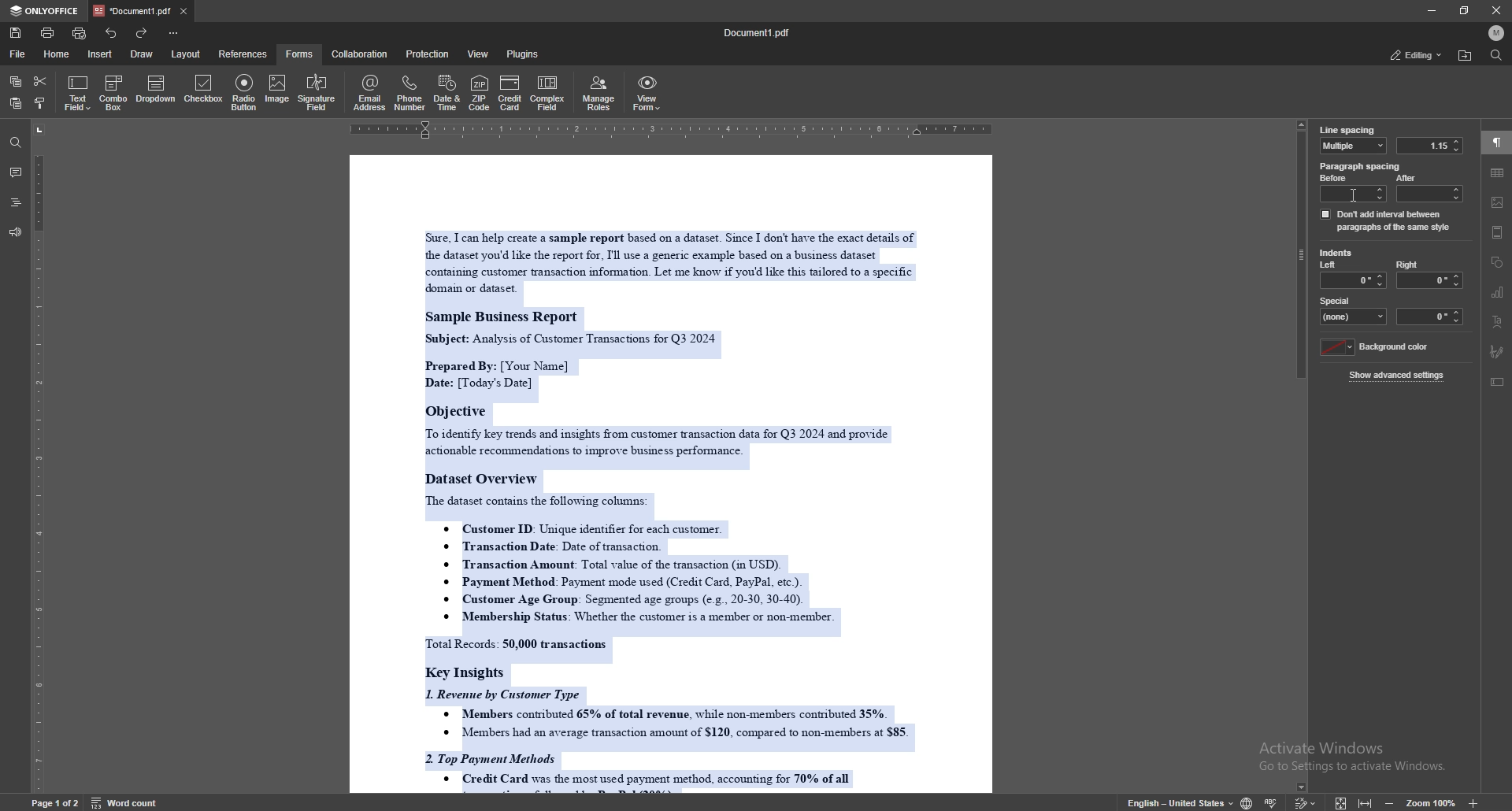  I want to click on vertical scale, so click(39, 458).